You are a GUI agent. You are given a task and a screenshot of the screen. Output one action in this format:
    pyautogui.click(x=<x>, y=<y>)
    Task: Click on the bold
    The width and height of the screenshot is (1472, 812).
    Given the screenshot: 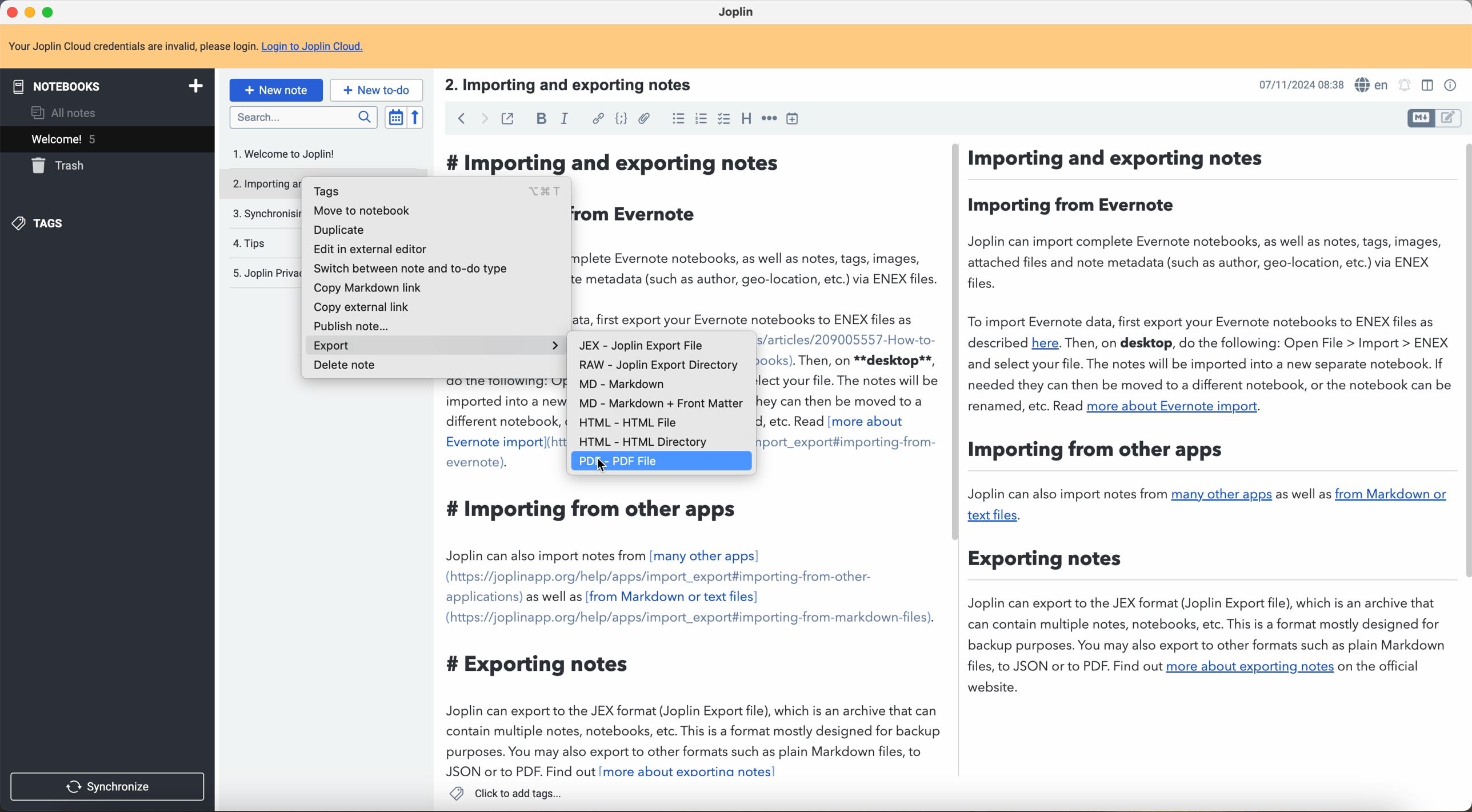 What is the action you would take?
    pyautogui.click(x=543, y=118)
    